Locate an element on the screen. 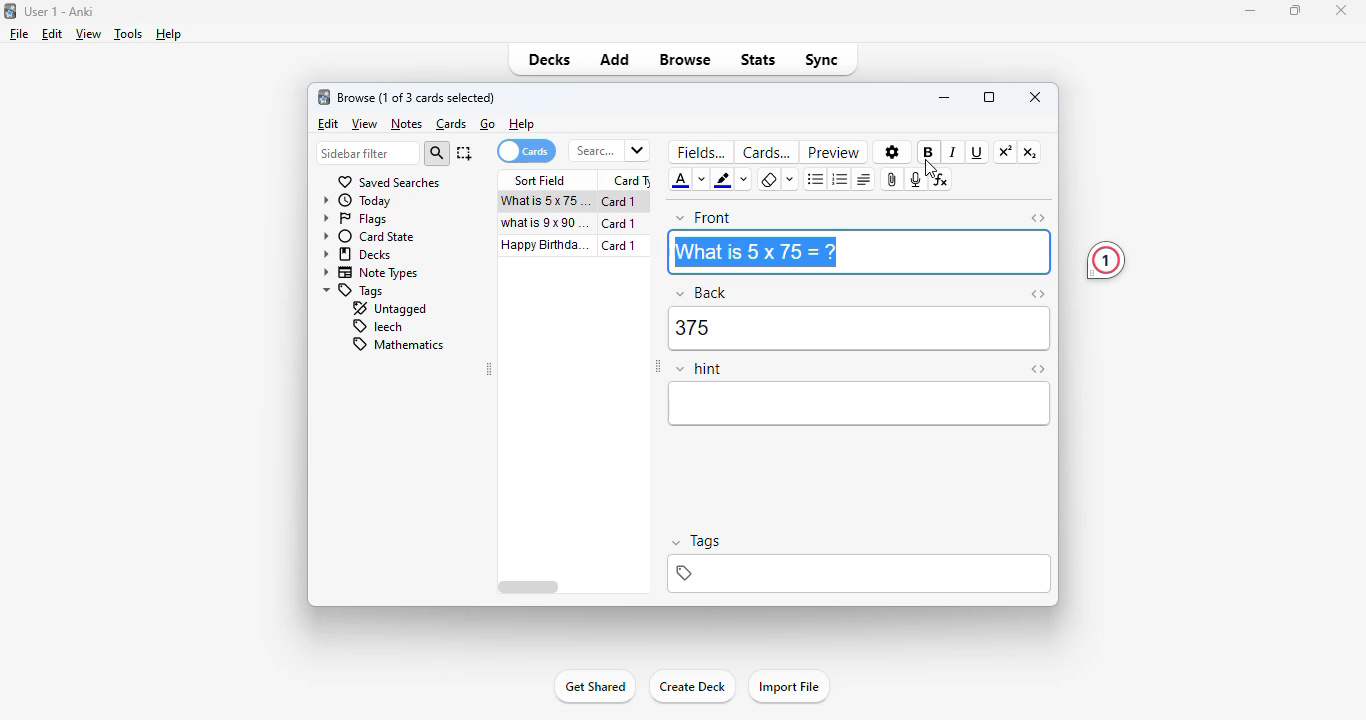 The width and height of the screenshot is (1366, 720). mathematics is located at coordinates (400, 345).